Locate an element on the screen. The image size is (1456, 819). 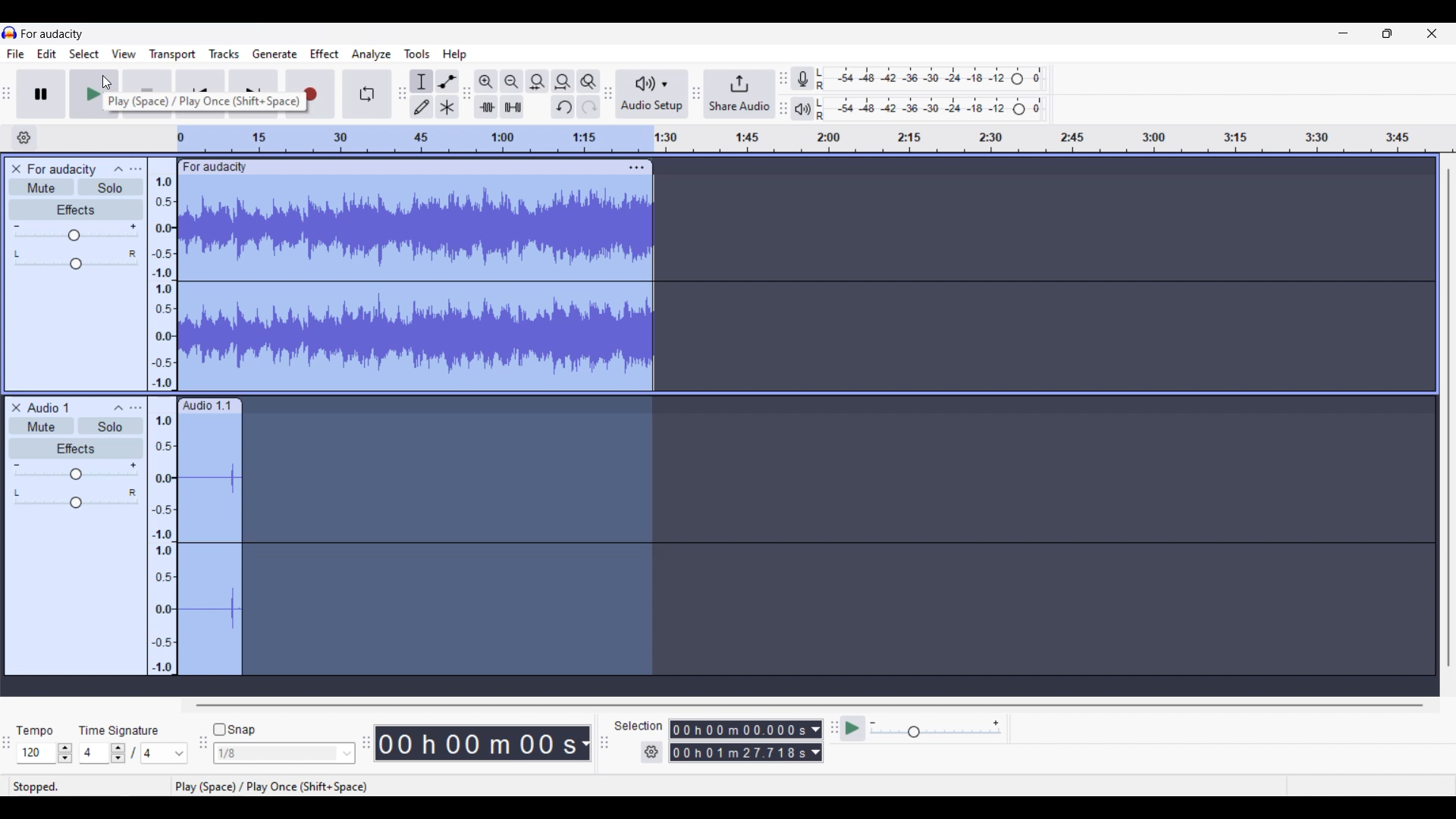
Current duration is located at coordinates (476, 743).